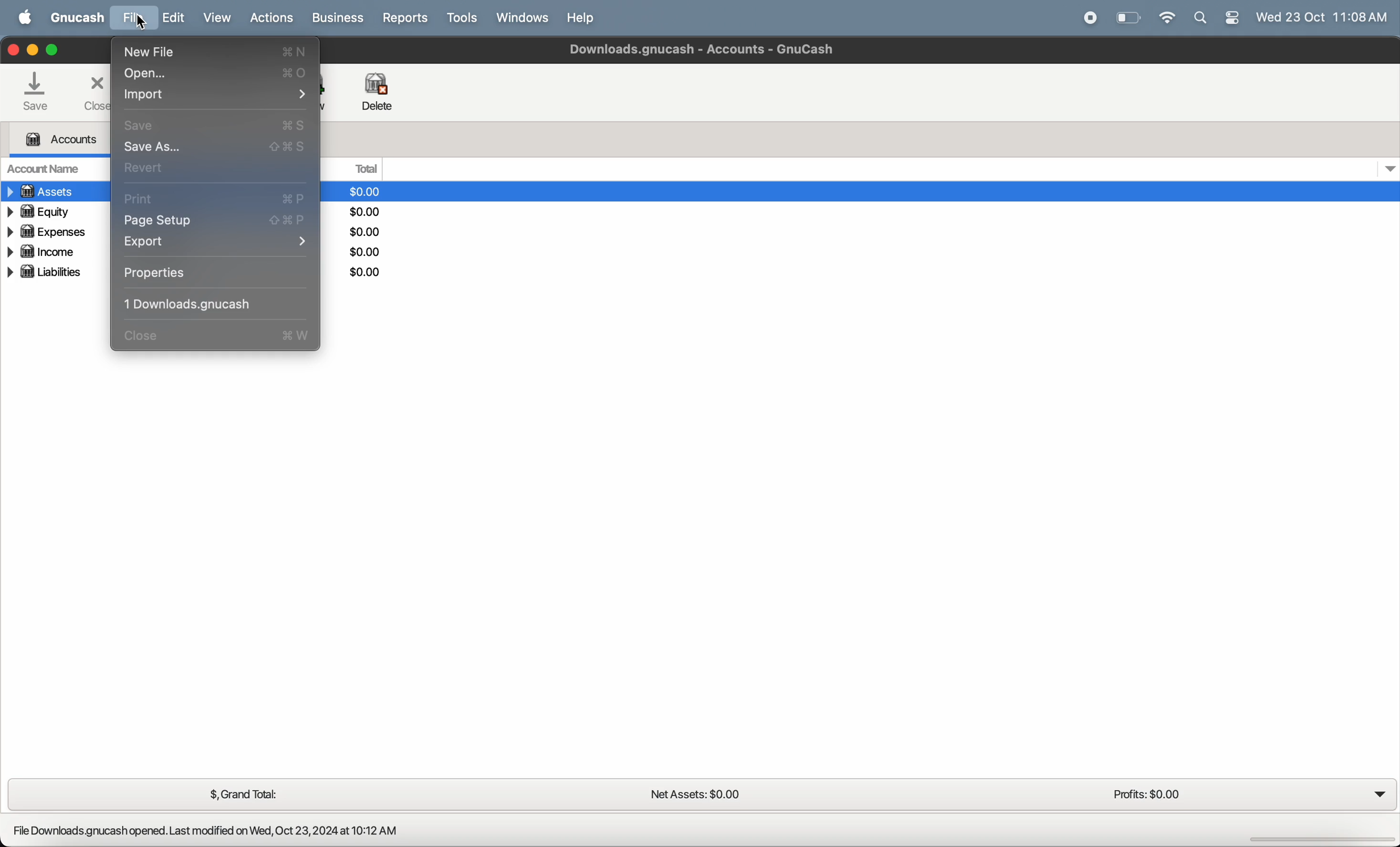 The width and height of the screenshot is (1400, 847). What do you see at coordinates (585, 19) in the screenshot?
I see `help` at bounding box center [585, 19].